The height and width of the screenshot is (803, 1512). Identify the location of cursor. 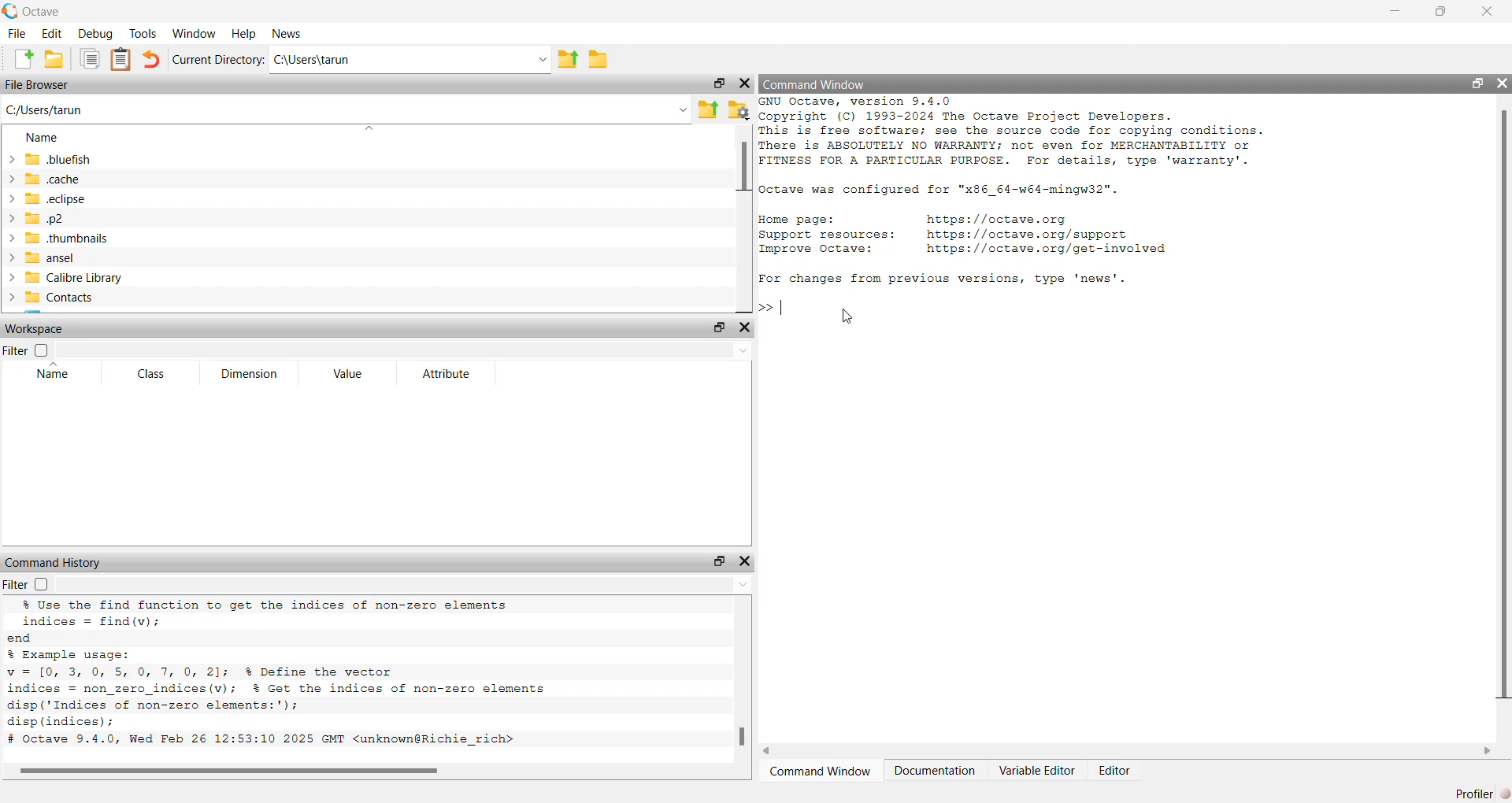
(839, 318).